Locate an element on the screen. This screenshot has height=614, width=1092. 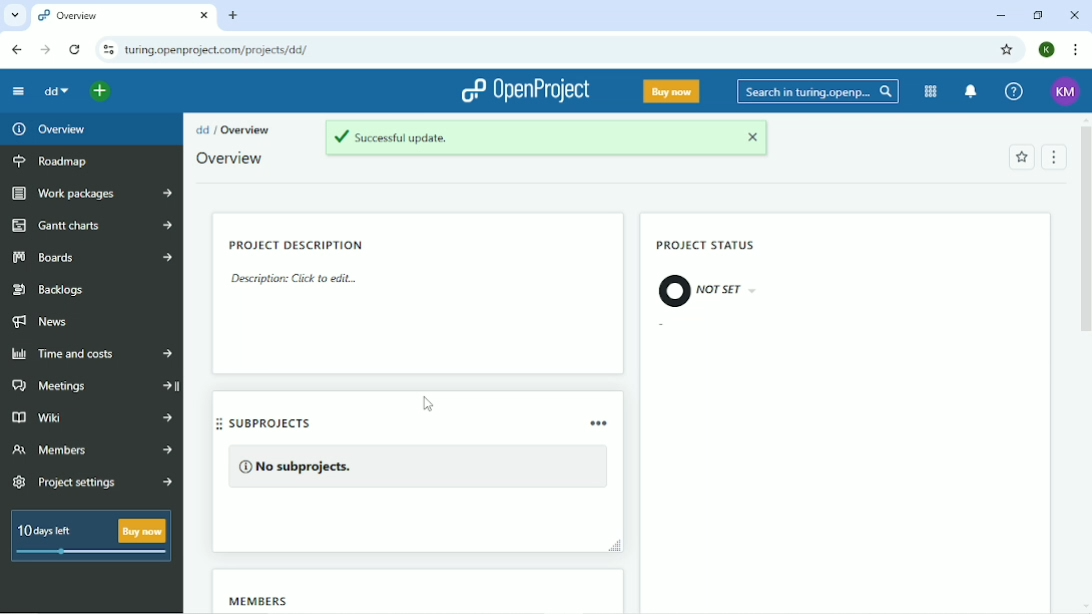
Subprojects is located at coordinates (414, 424).